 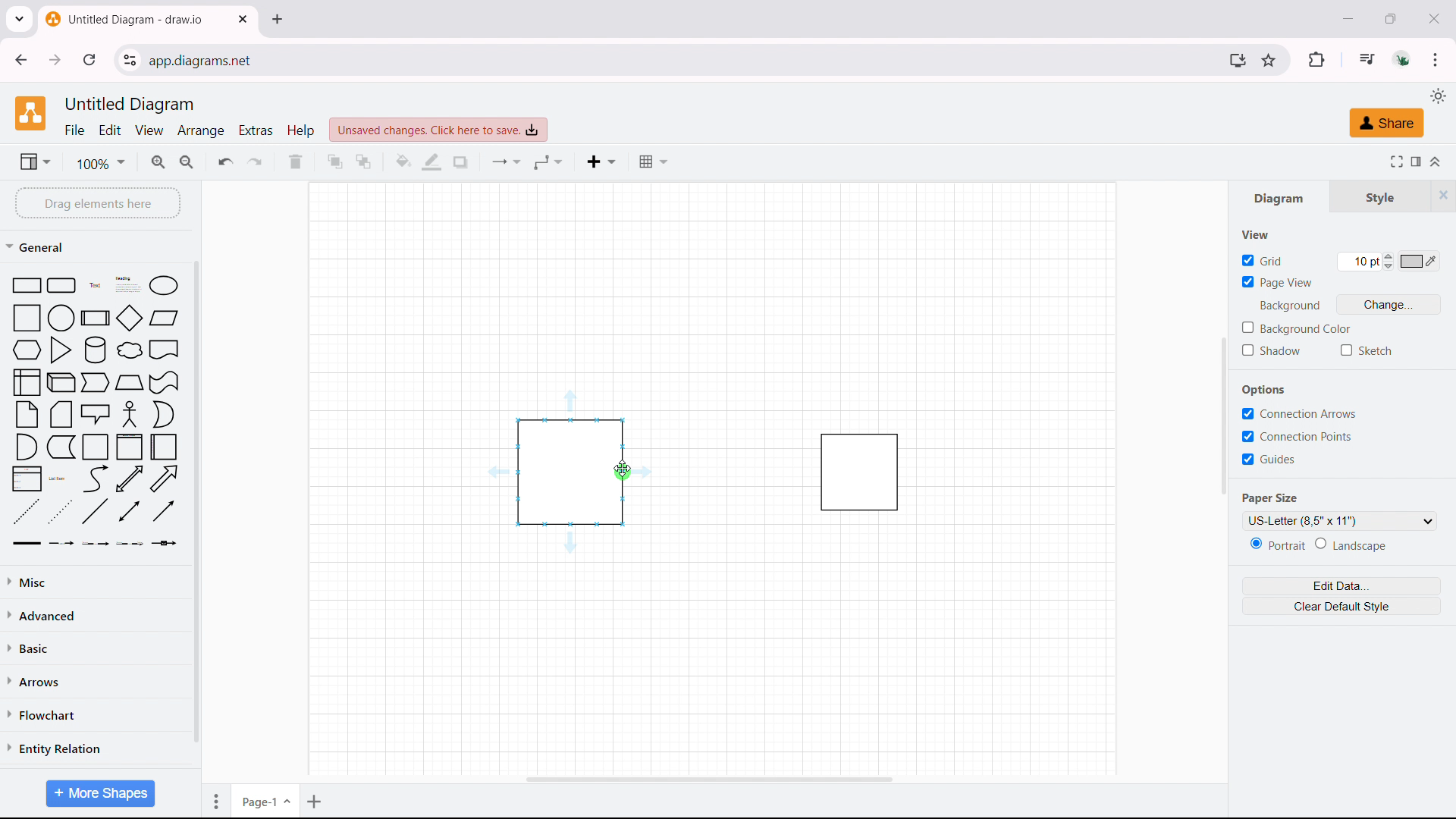 What do you see at coordinates (96, 581) in the screenshot?
I see `miscelleneous` at bounding box center [96, 581].